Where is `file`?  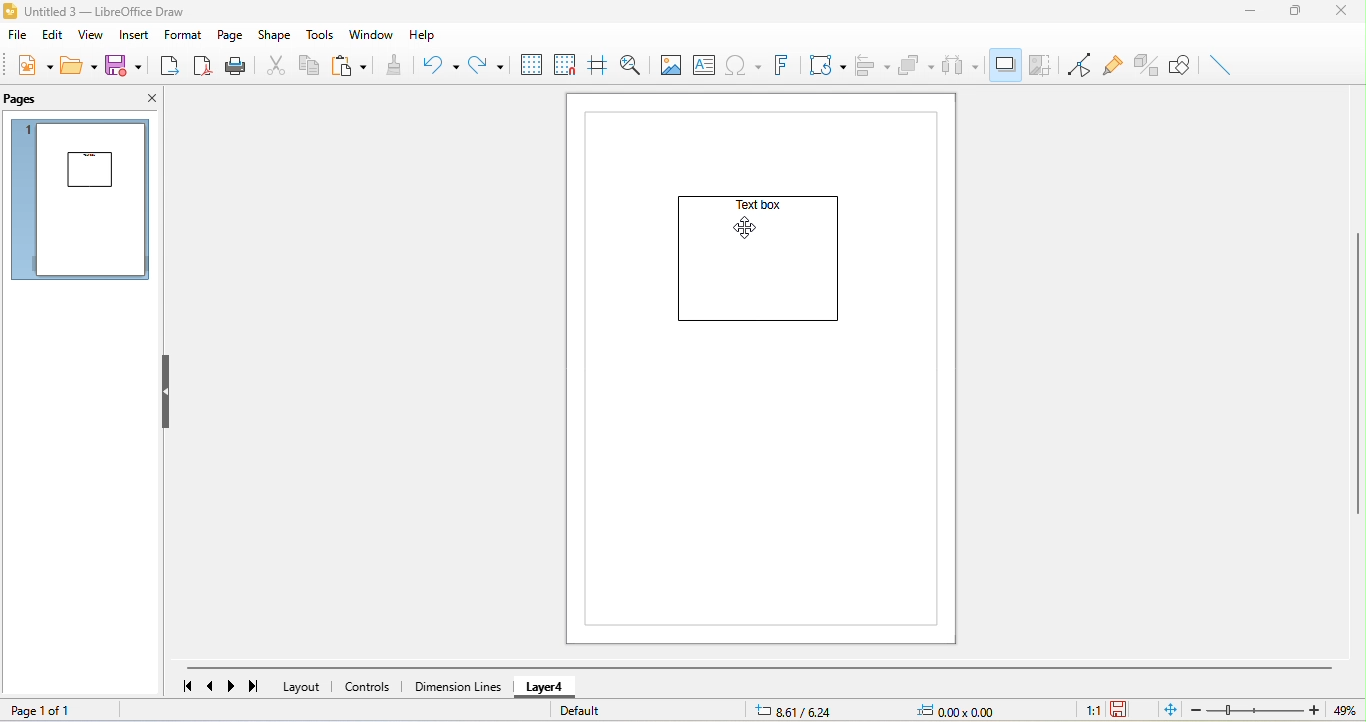 file is located at coordinates (16, 34).